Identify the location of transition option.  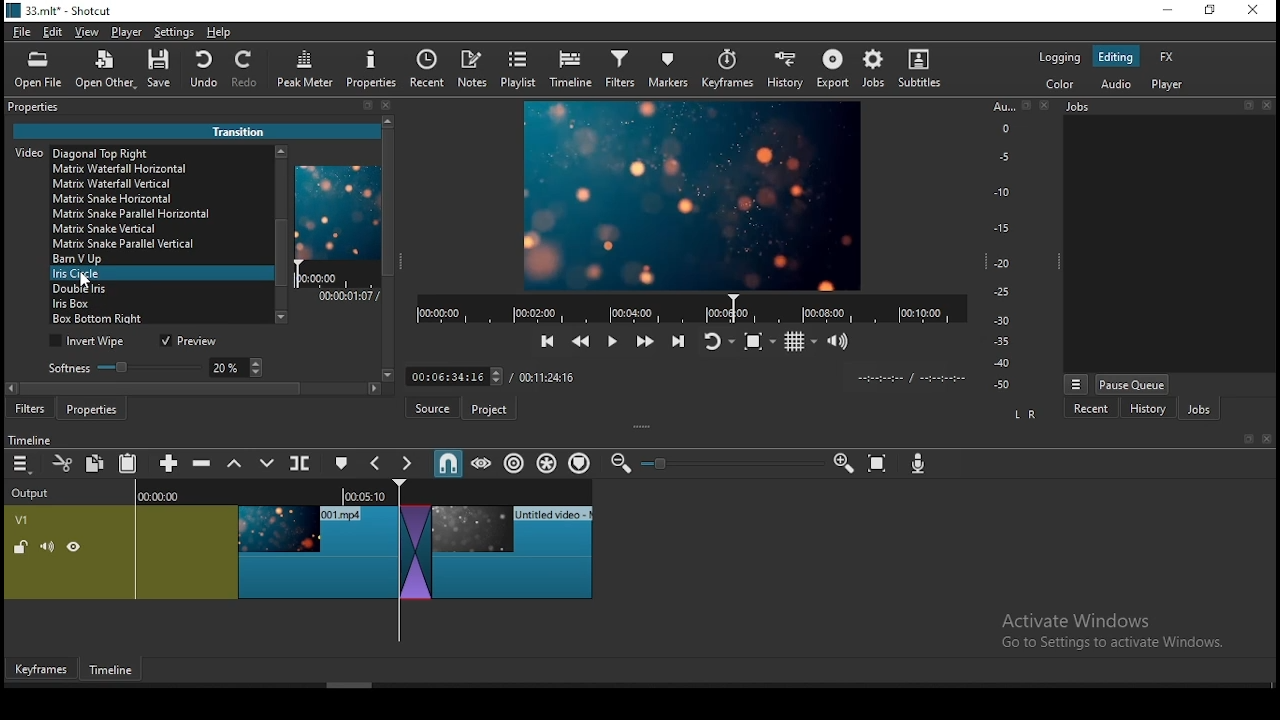
(159, 214).